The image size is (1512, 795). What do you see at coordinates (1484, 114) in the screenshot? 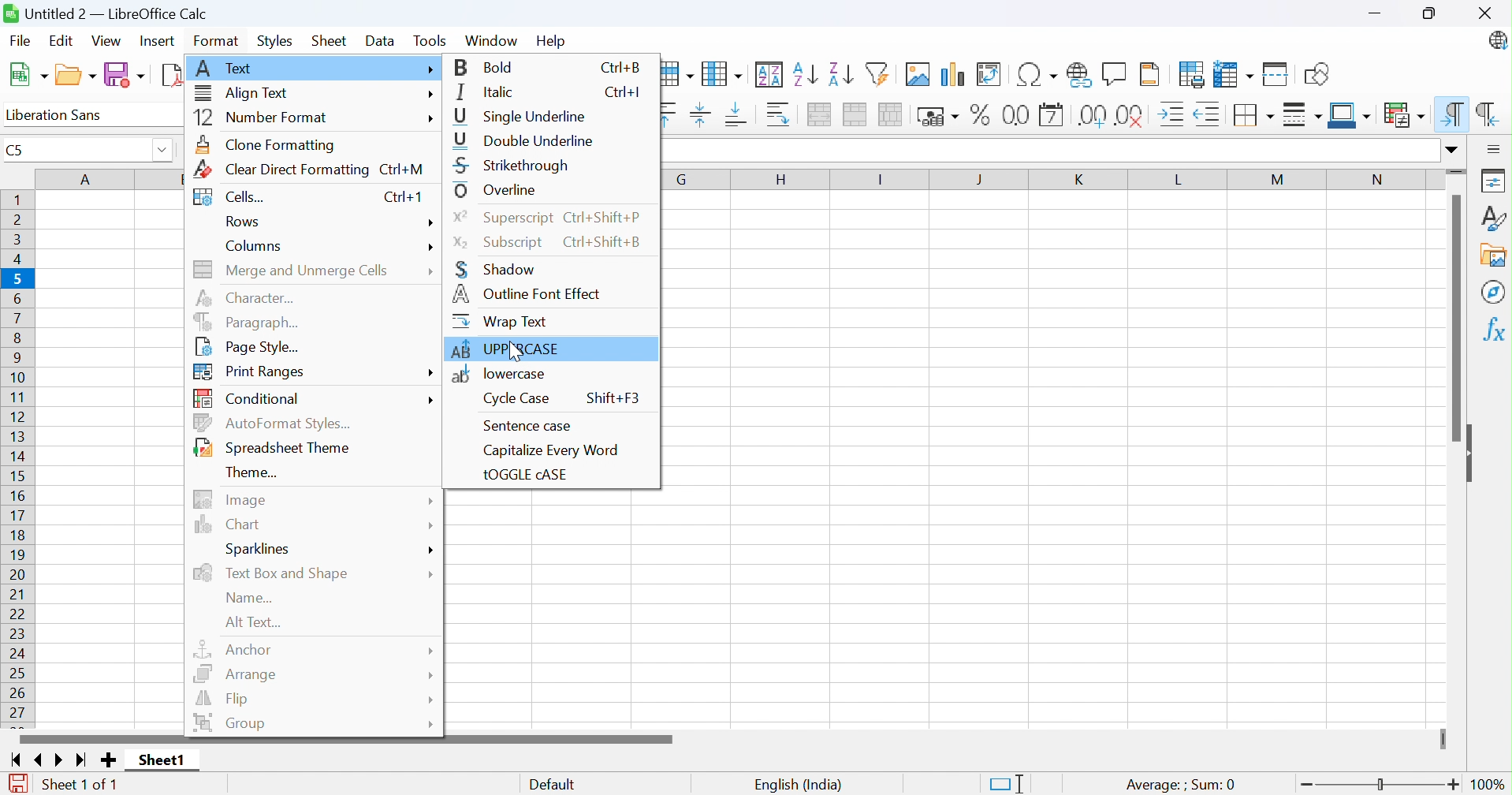
I see `Right-to-left` at bounding box center [1484, 114].